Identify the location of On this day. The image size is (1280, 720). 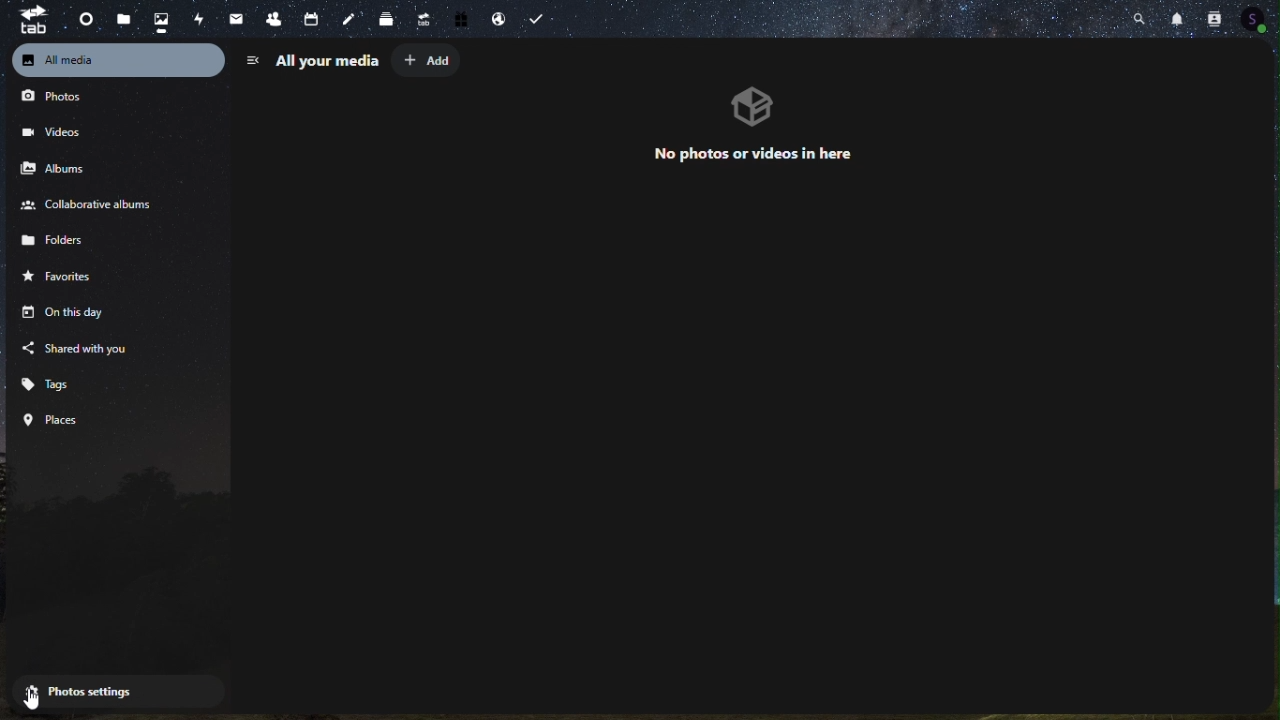
(59, 314).